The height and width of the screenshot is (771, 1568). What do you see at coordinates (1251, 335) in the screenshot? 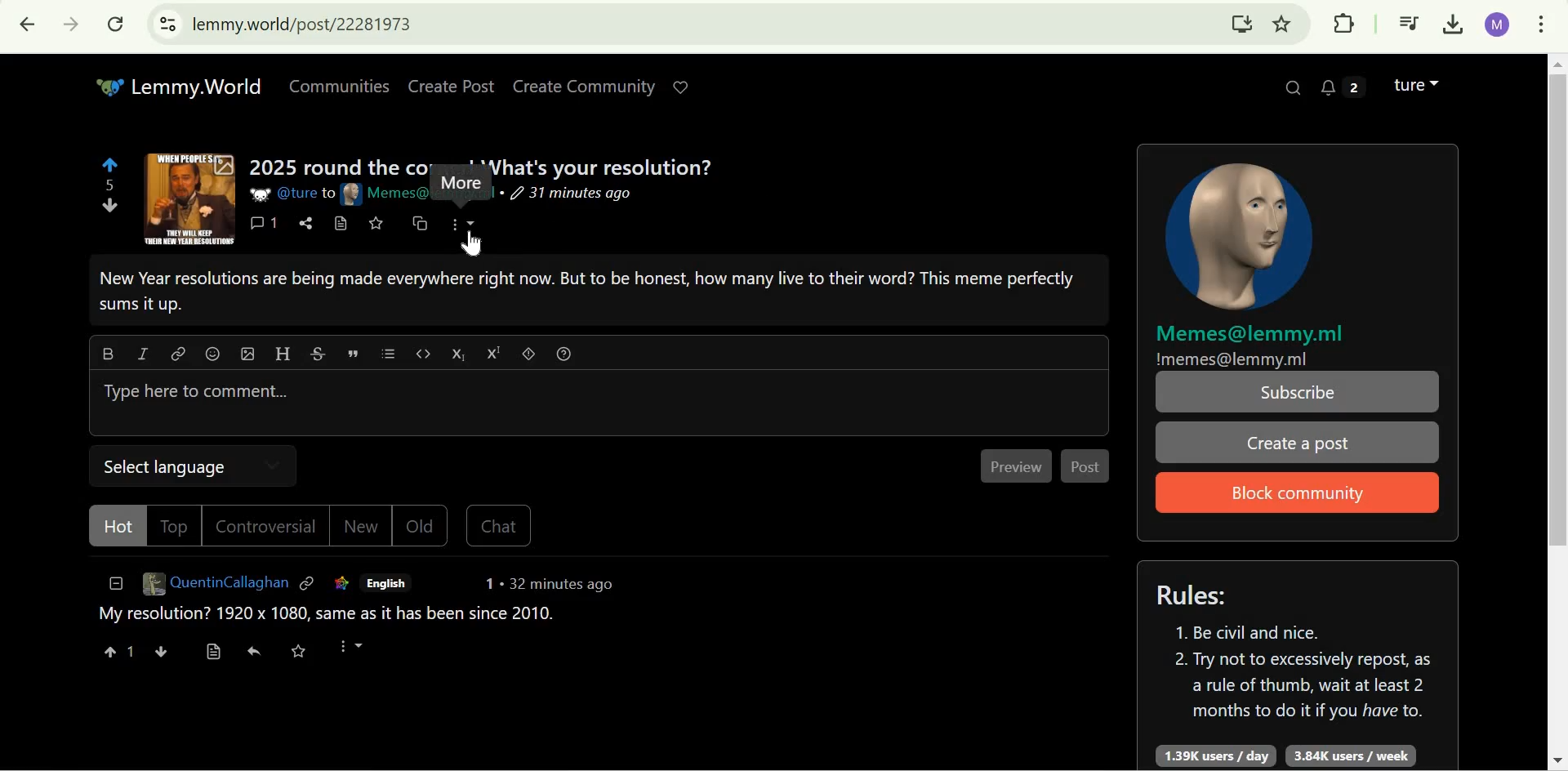
I see `Memes@lemmy.ml` at bounding box center [1251, 335].